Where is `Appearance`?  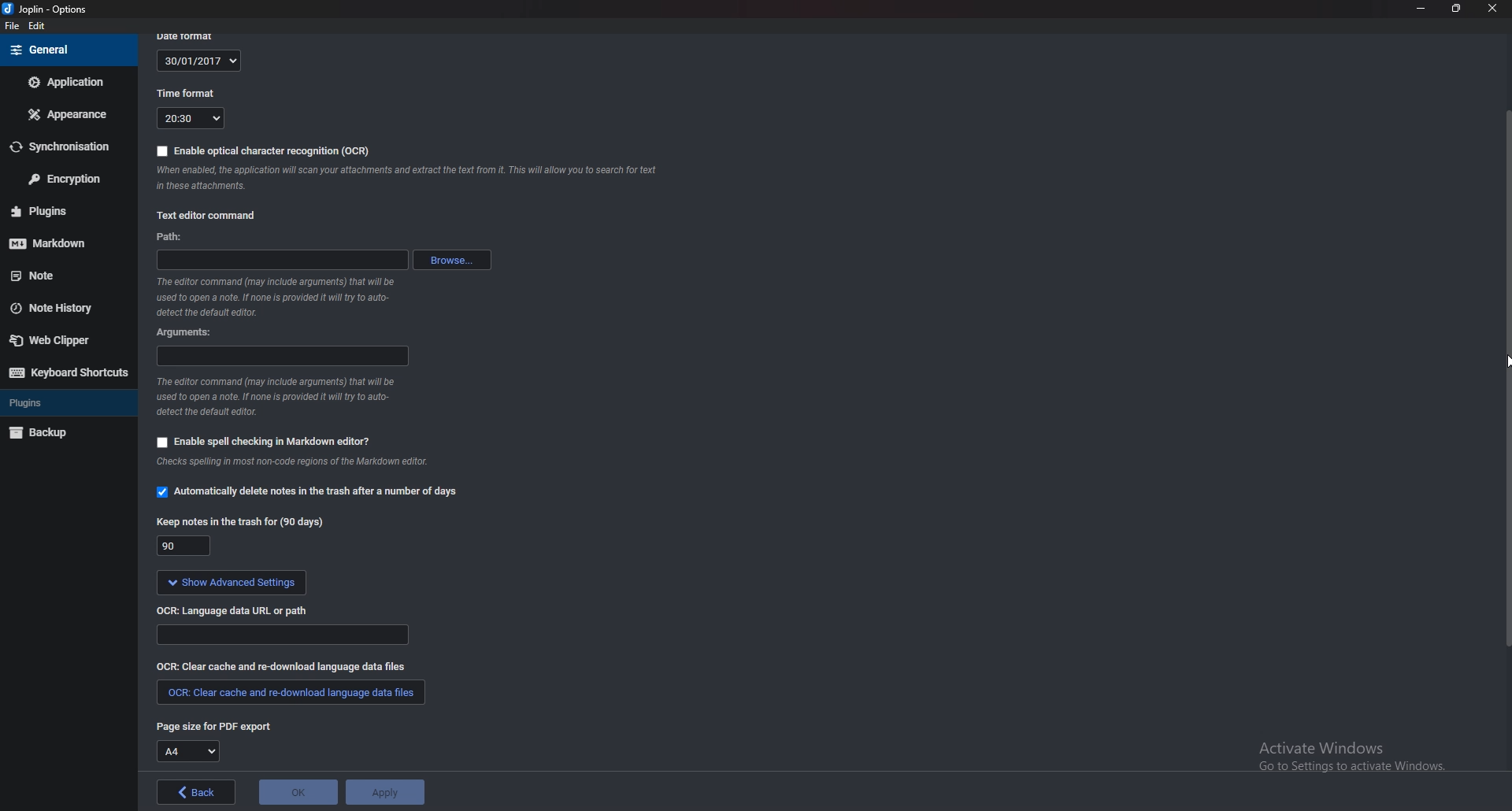 Appearance is located at coordinates (65, 115).